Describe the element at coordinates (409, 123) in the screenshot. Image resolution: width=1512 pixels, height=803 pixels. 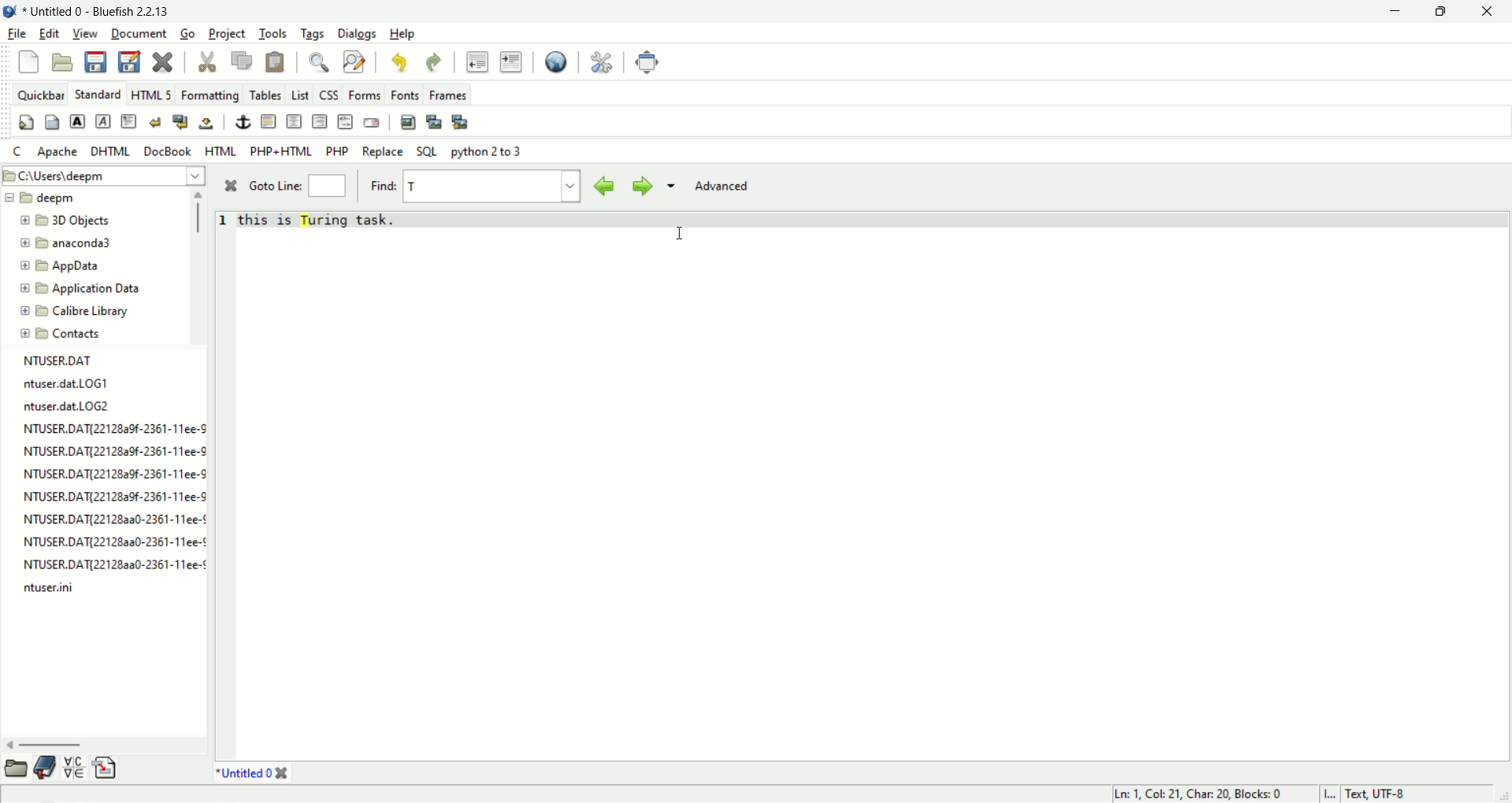
I see `insert image` at that location.